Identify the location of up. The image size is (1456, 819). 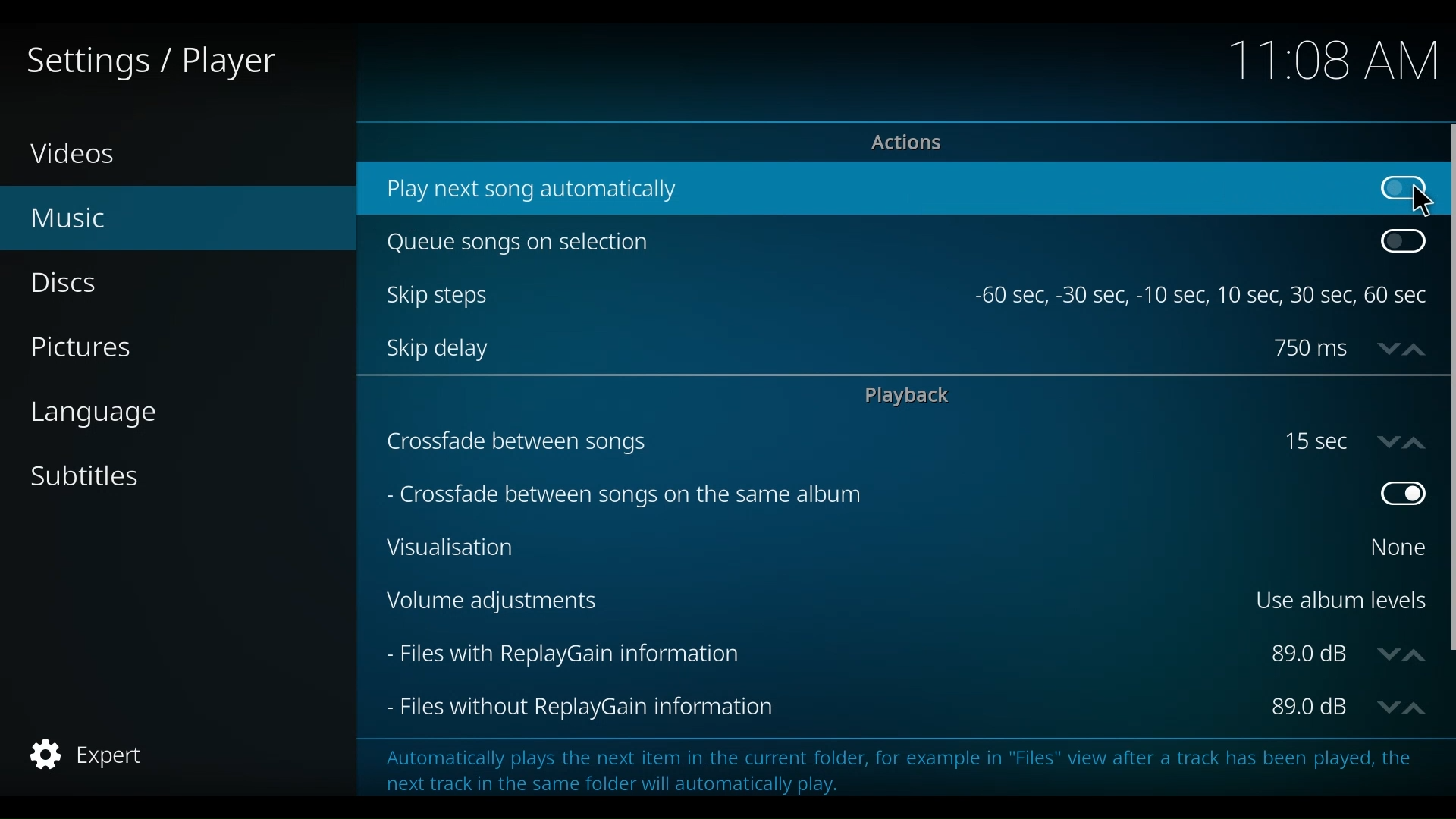
(1417, 652).